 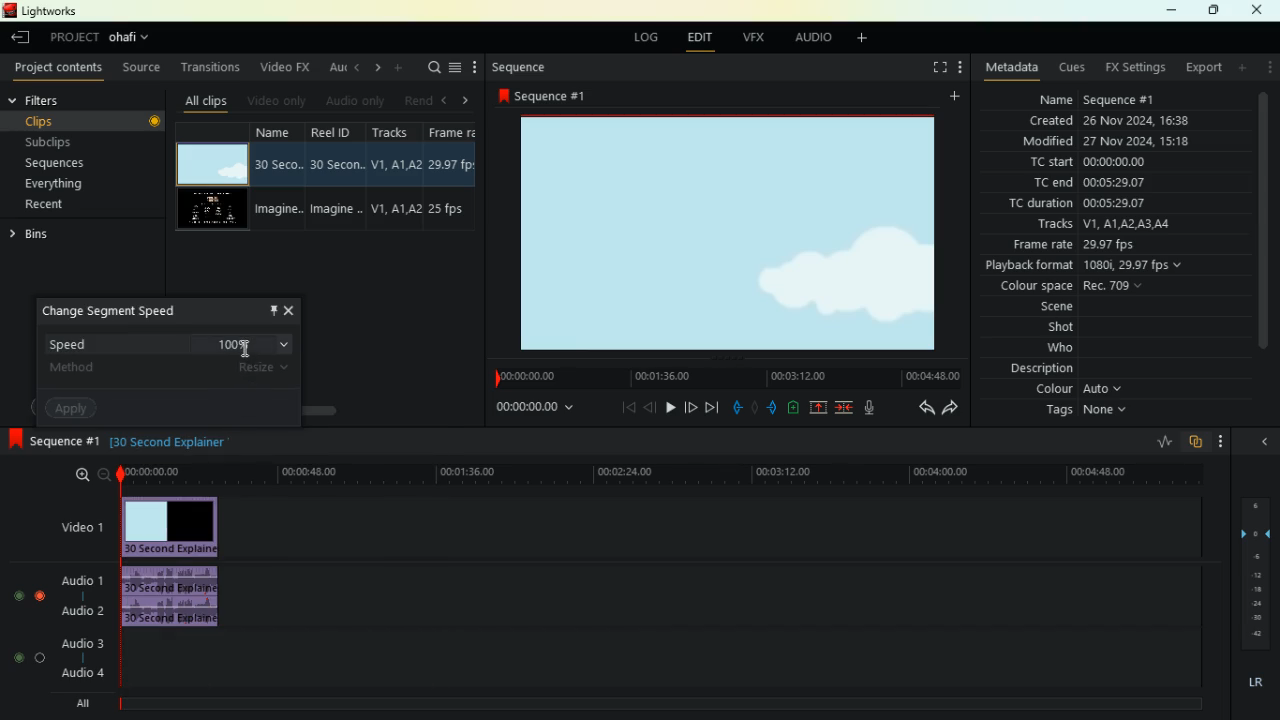 What do you see at coordinates (1203, 68) in the screenshot?
I see `export` at bounding box center [1203, 68].